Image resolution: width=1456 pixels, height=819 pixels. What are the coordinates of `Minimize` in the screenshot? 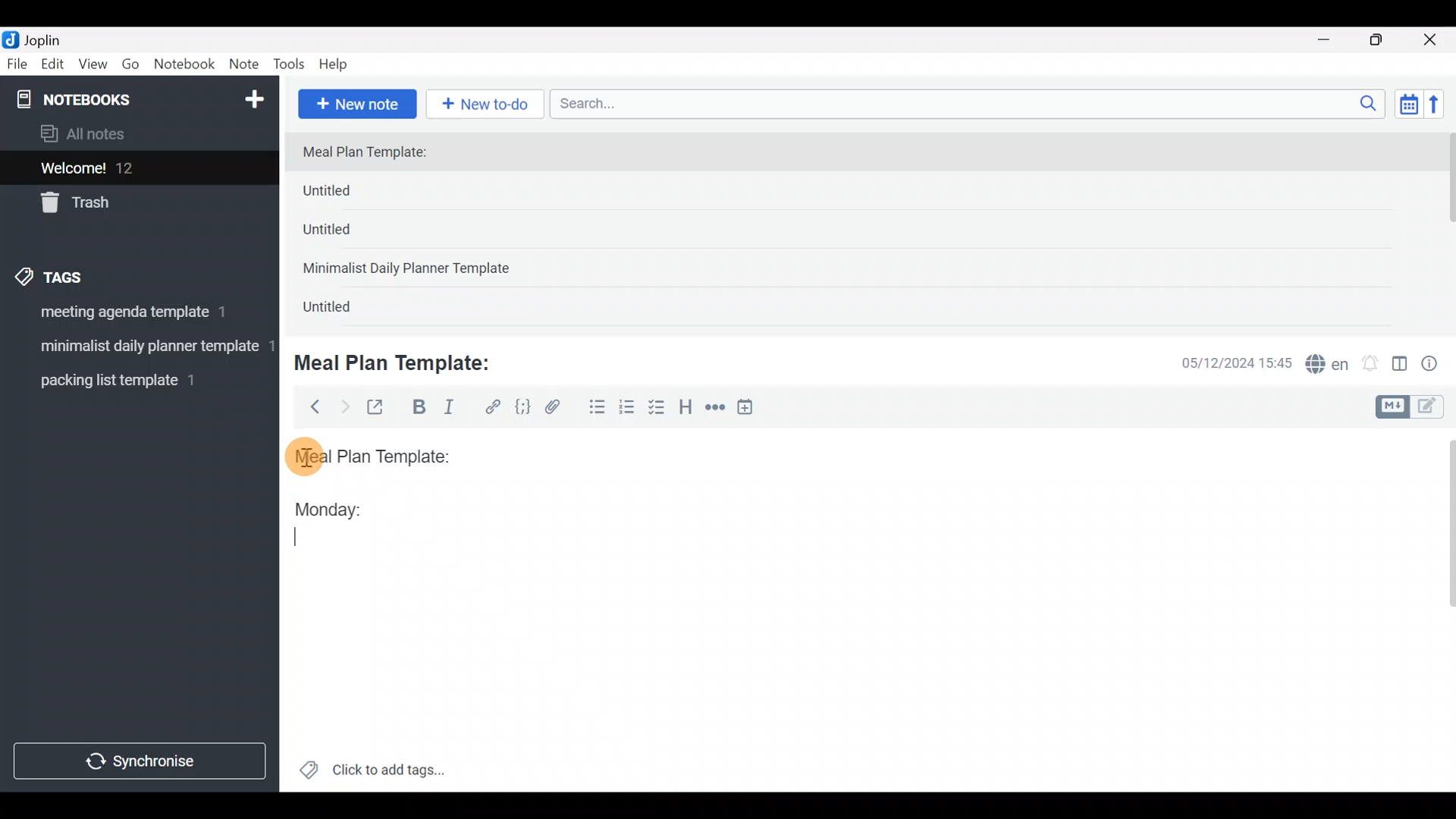 It's located at (1332, 38).